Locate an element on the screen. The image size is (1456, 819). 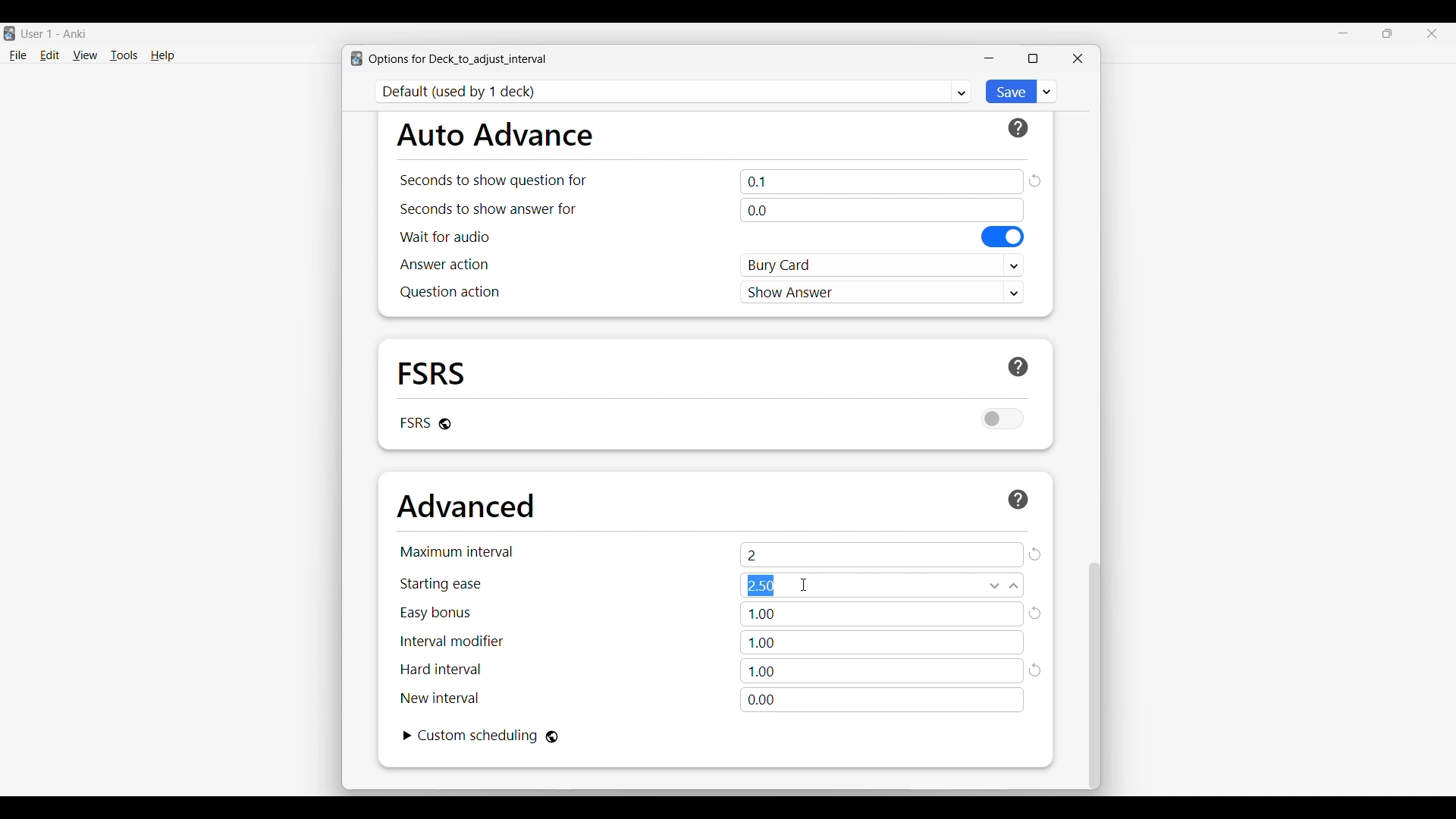
Minimize is located at coordinates (1344, 33).